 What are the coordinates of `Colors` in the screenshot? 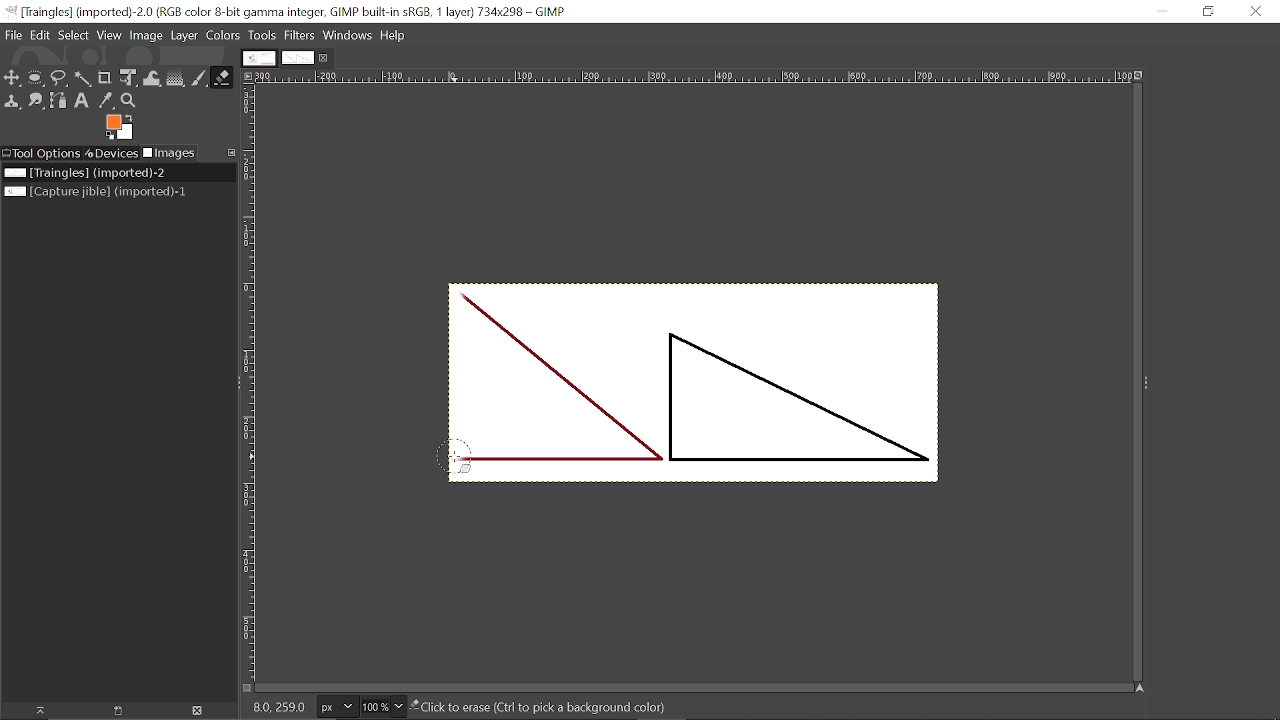 It's located at (222, 35).